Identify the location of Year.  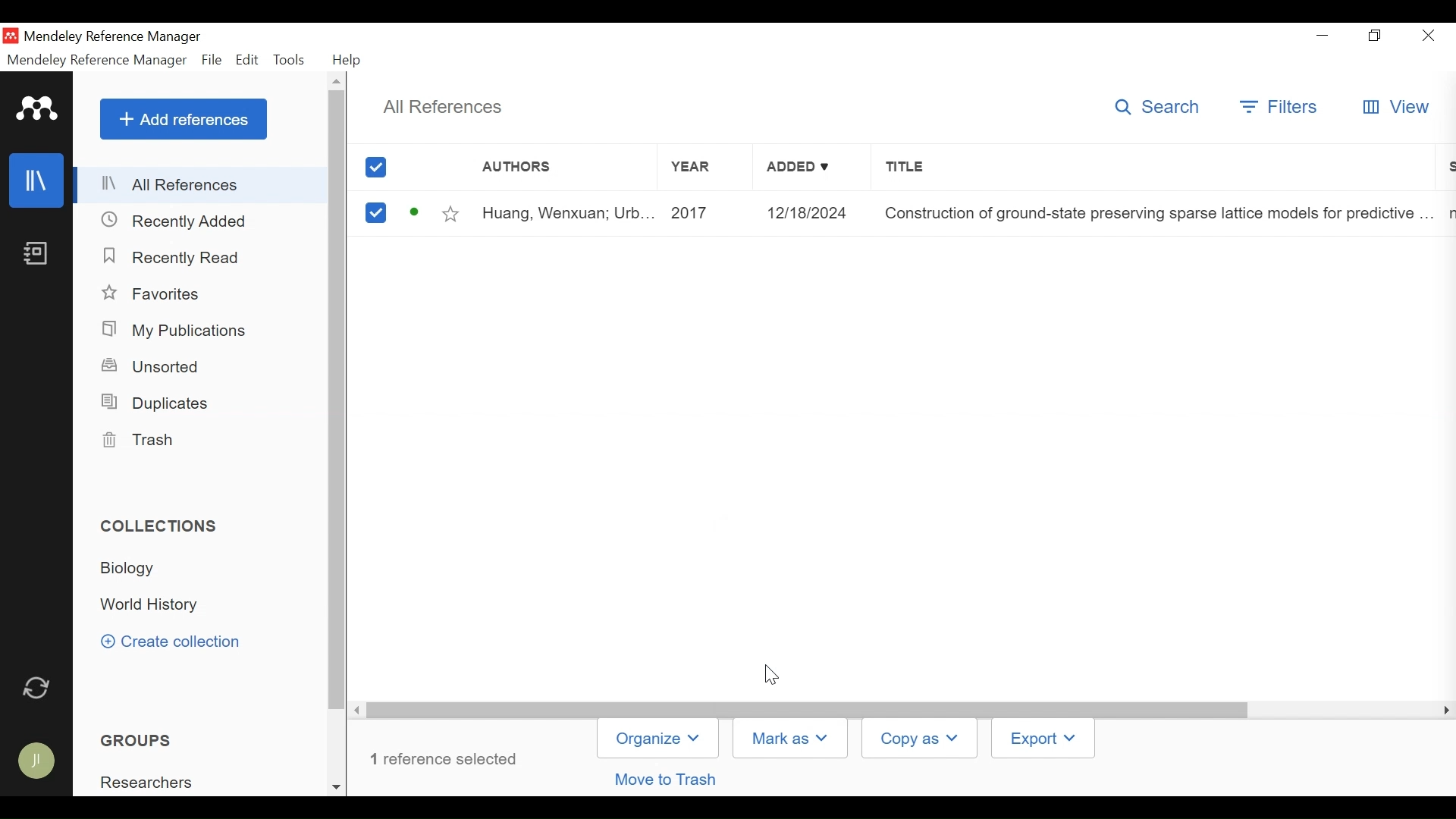
(709, 214).